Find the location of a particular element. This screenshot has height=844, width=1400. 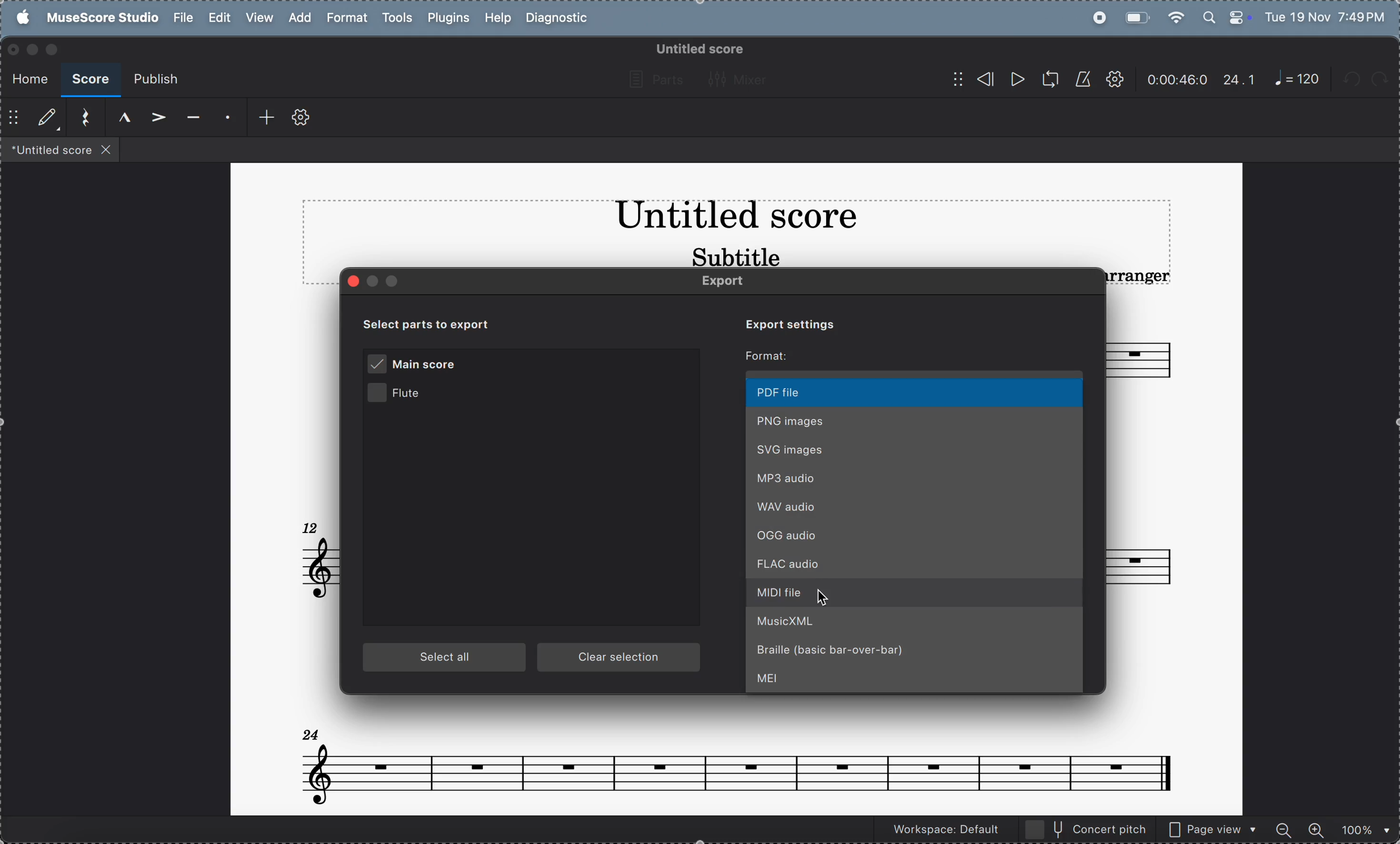

Brallie basic bar over bar is located at coordinates (915, 654).